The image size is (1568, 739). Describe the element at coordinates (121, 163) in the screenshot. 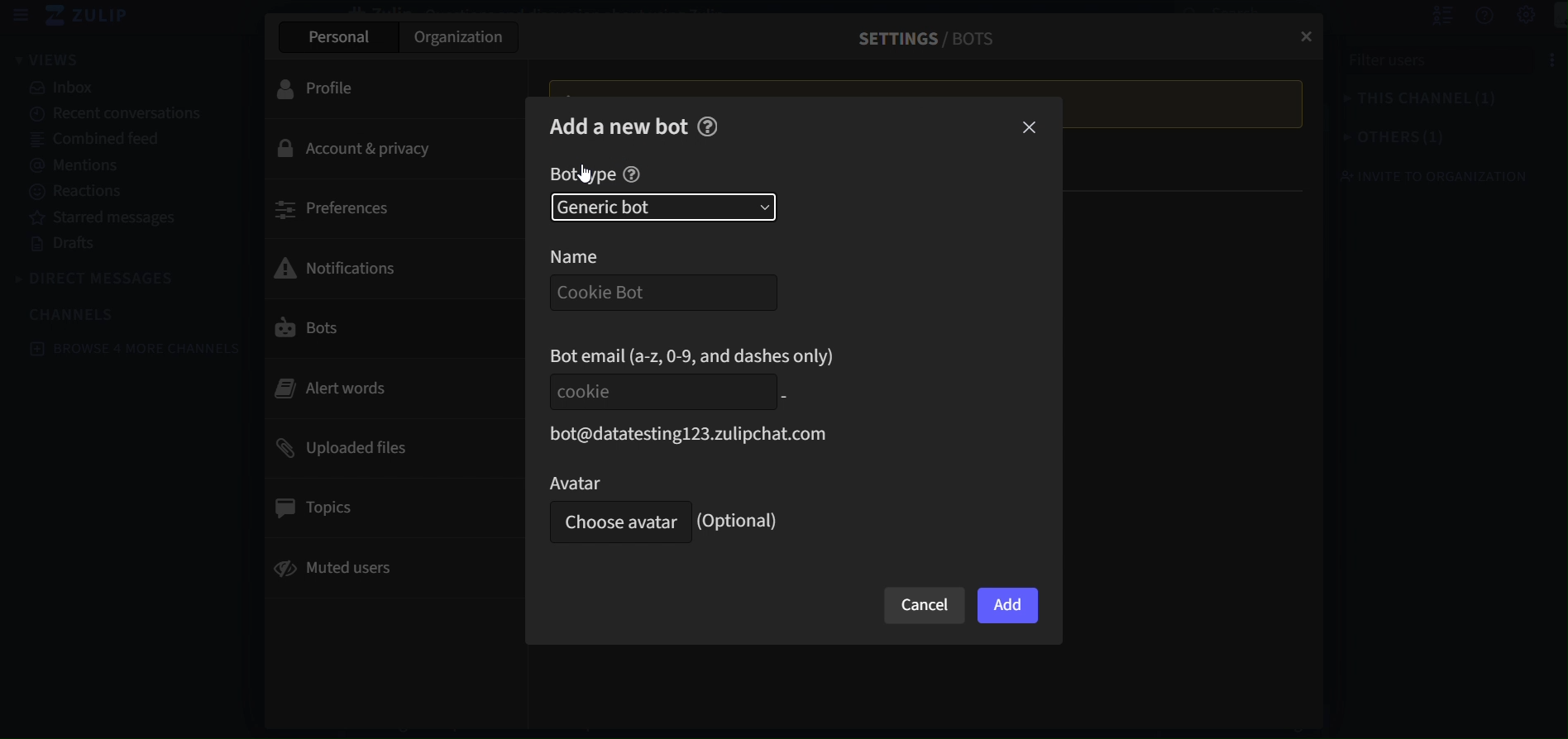

I see `mentions` at that location.